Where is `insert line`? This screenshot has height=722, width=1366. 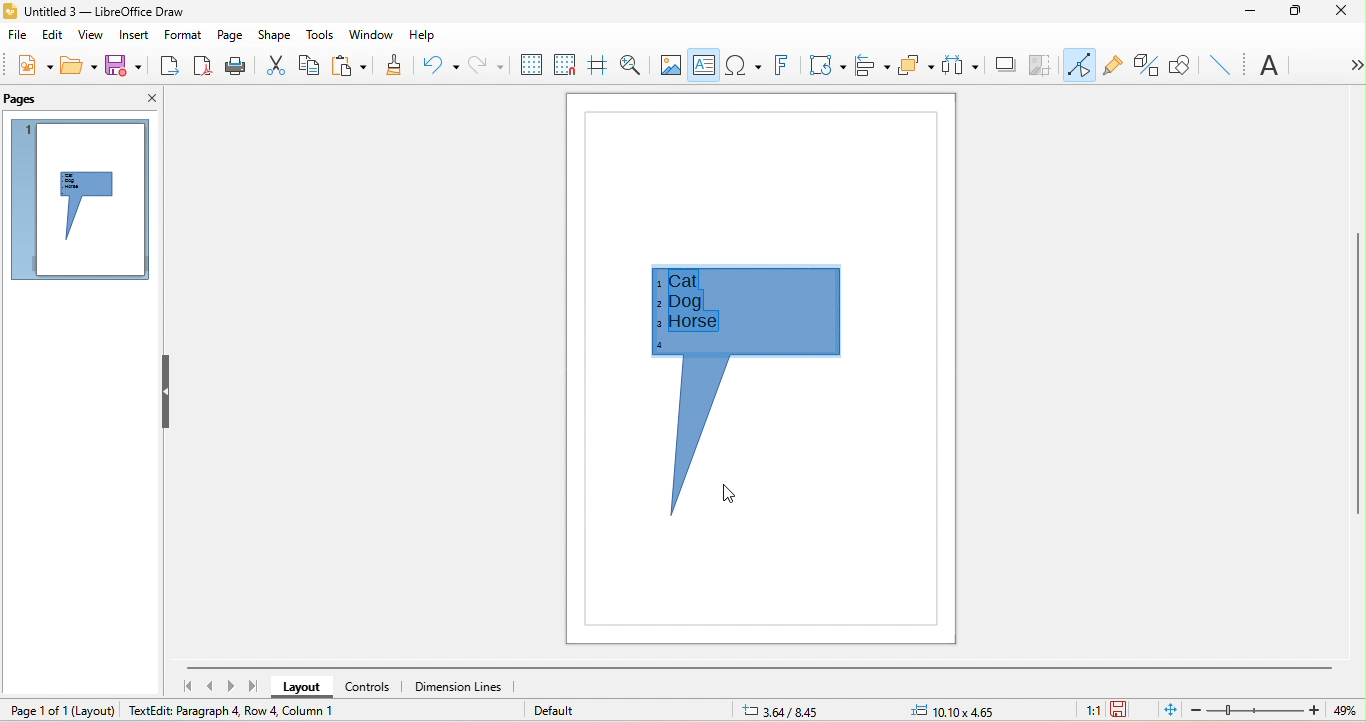
insert line is located at coordinates (1220, 63).